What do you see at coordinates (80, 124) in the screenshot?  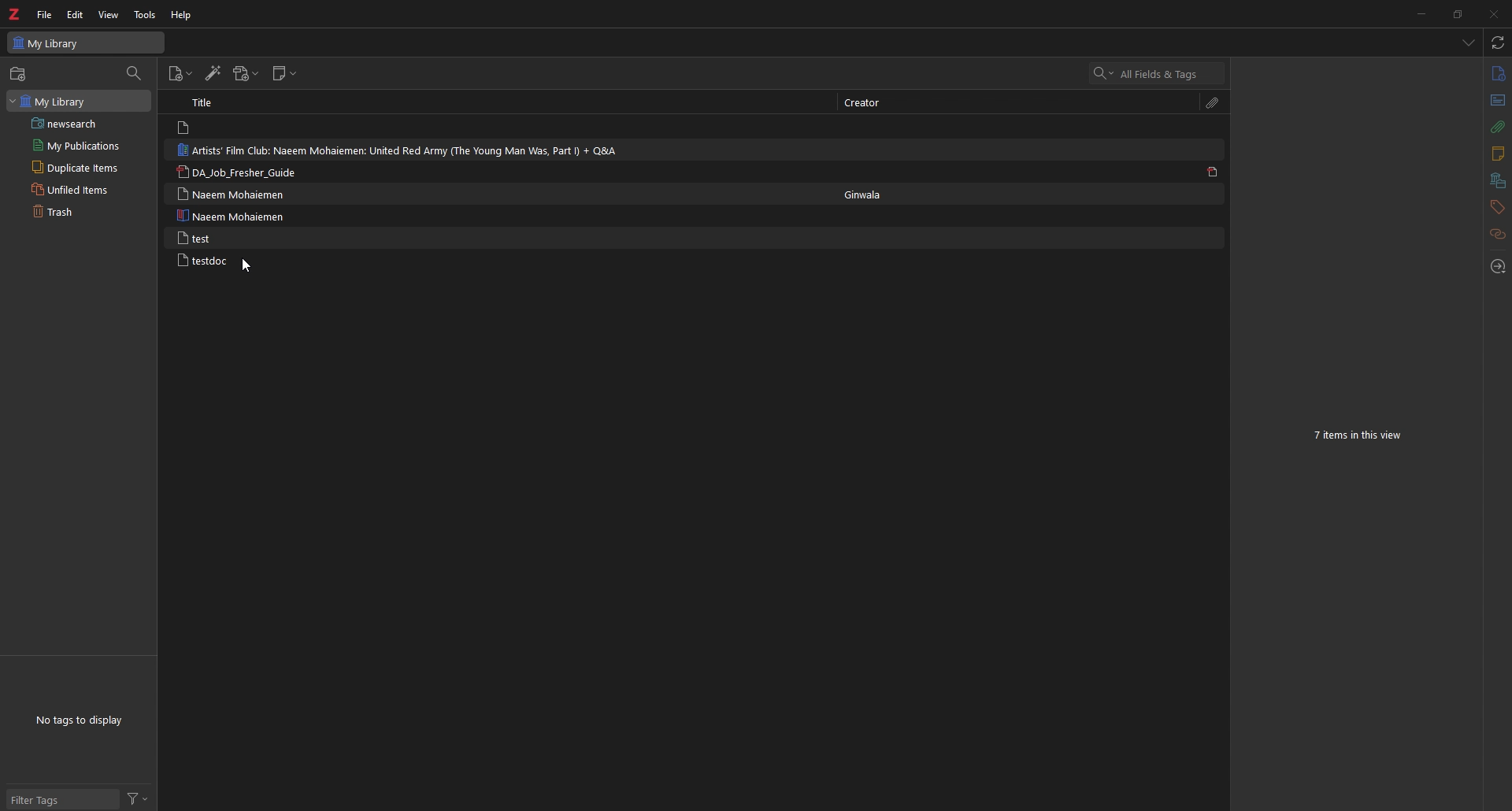 I see `newsearch` at bounding box center [80, 124].